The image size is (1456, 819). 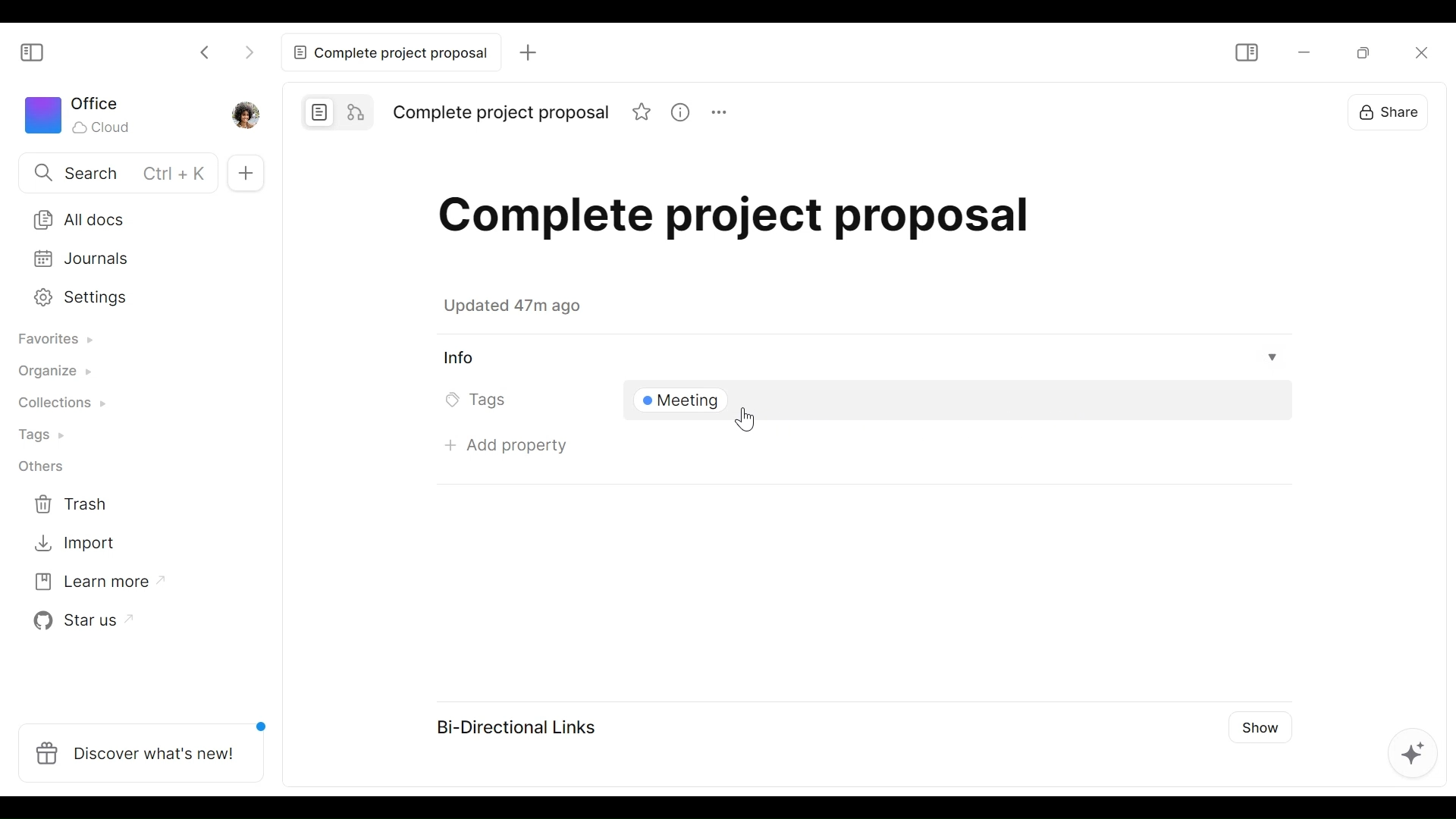 What do you see at coordinates (1391, 111) in the screenshot?
I see `Share` at bounding box center [1391, 111].